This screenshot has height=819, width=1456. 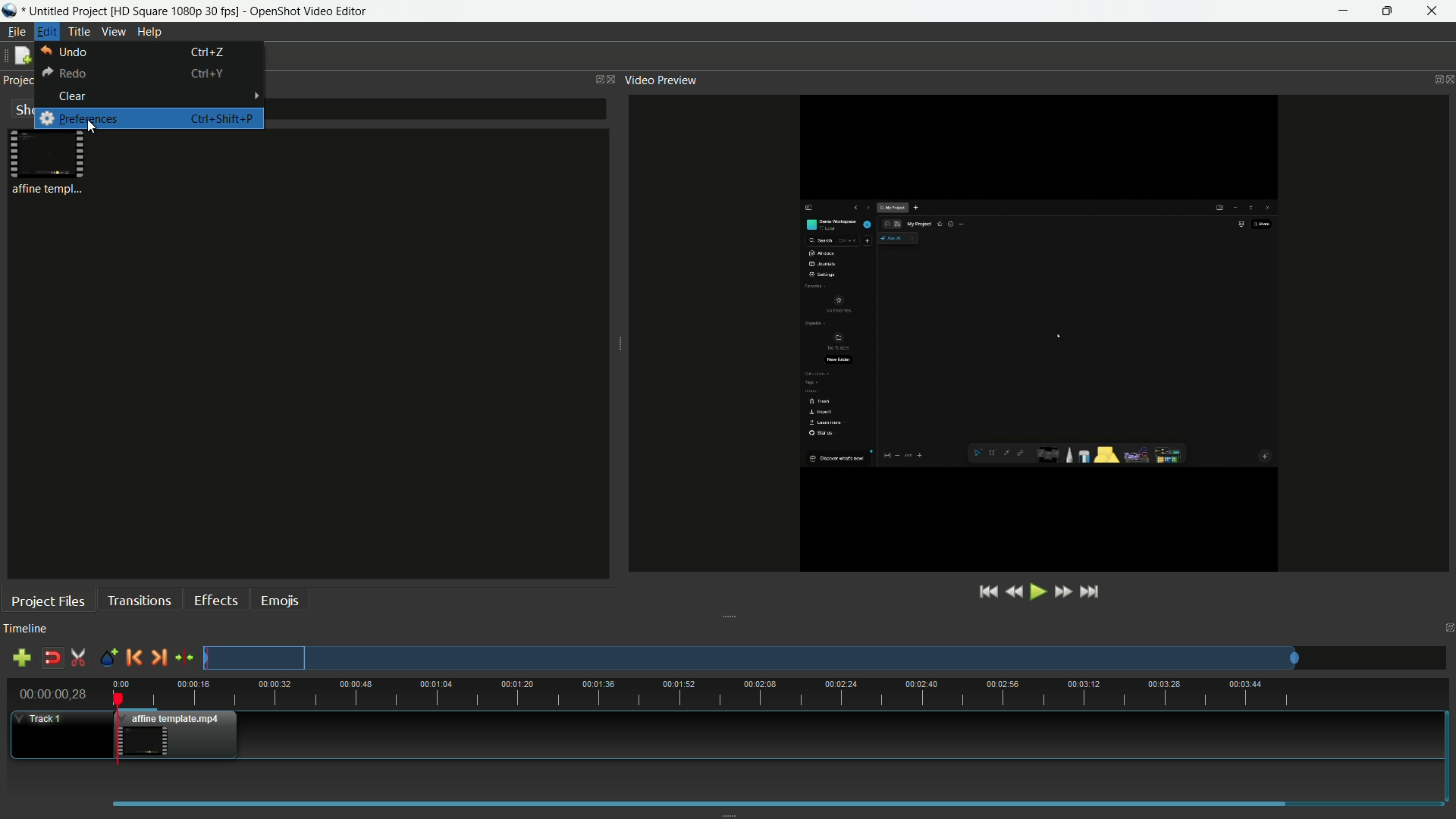 I want to click on next marker, so click(x=158, y=657).